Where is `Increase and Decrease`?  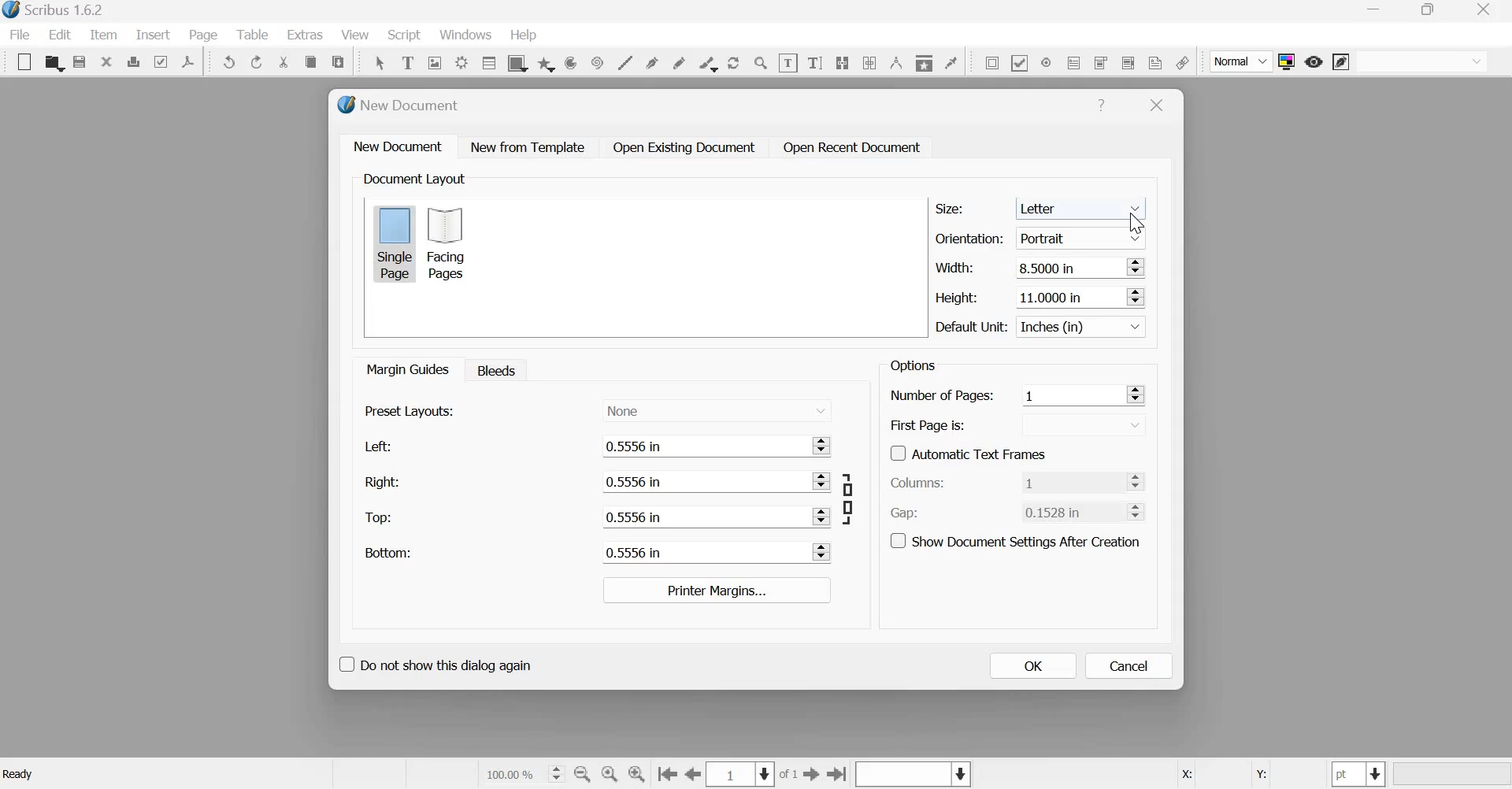 Increase and Decrease is located at coordinates (1140, 510).